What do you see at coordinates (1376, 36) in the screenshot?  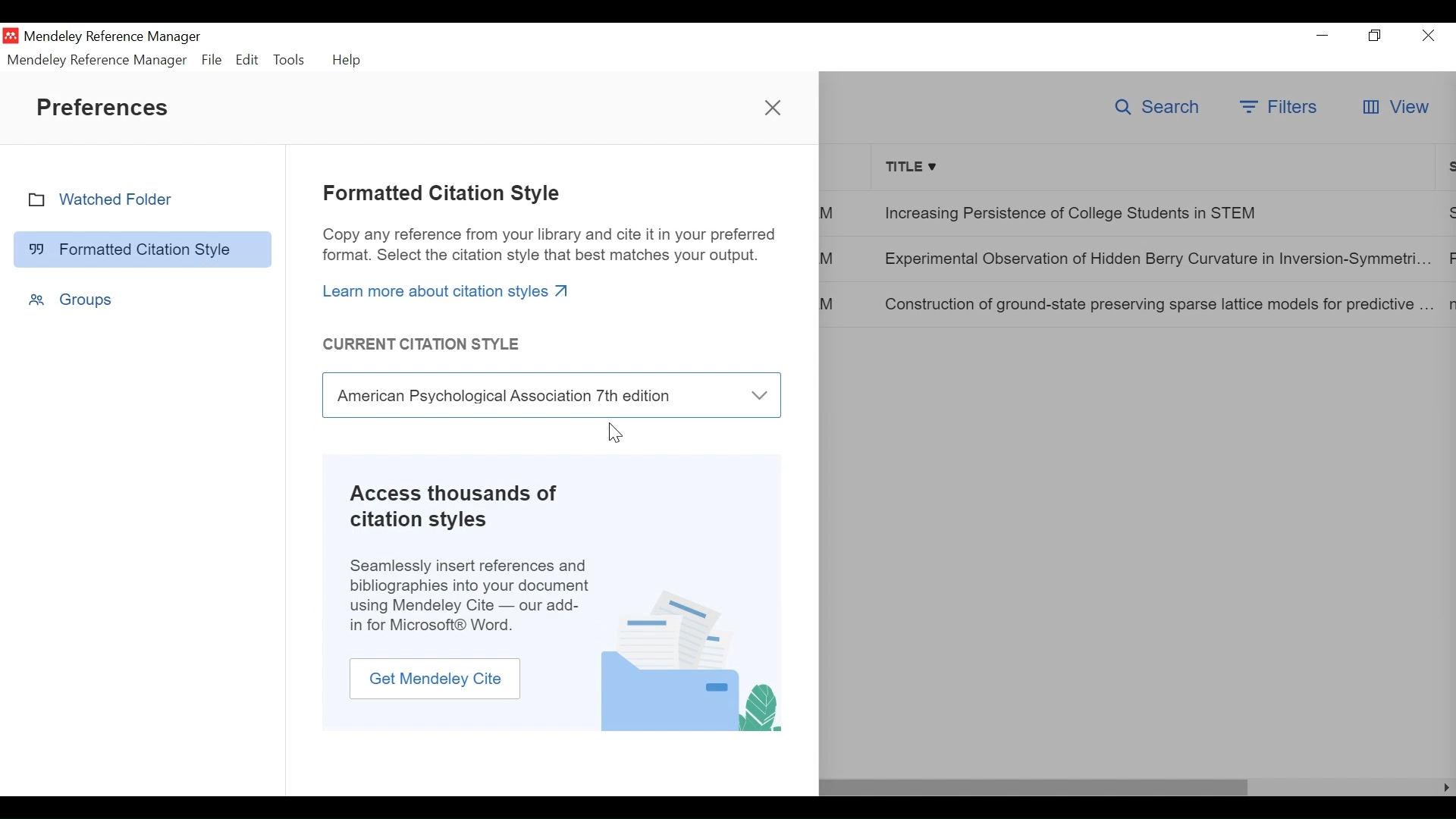 I see `Restore` at bounding box center [1376, 36].